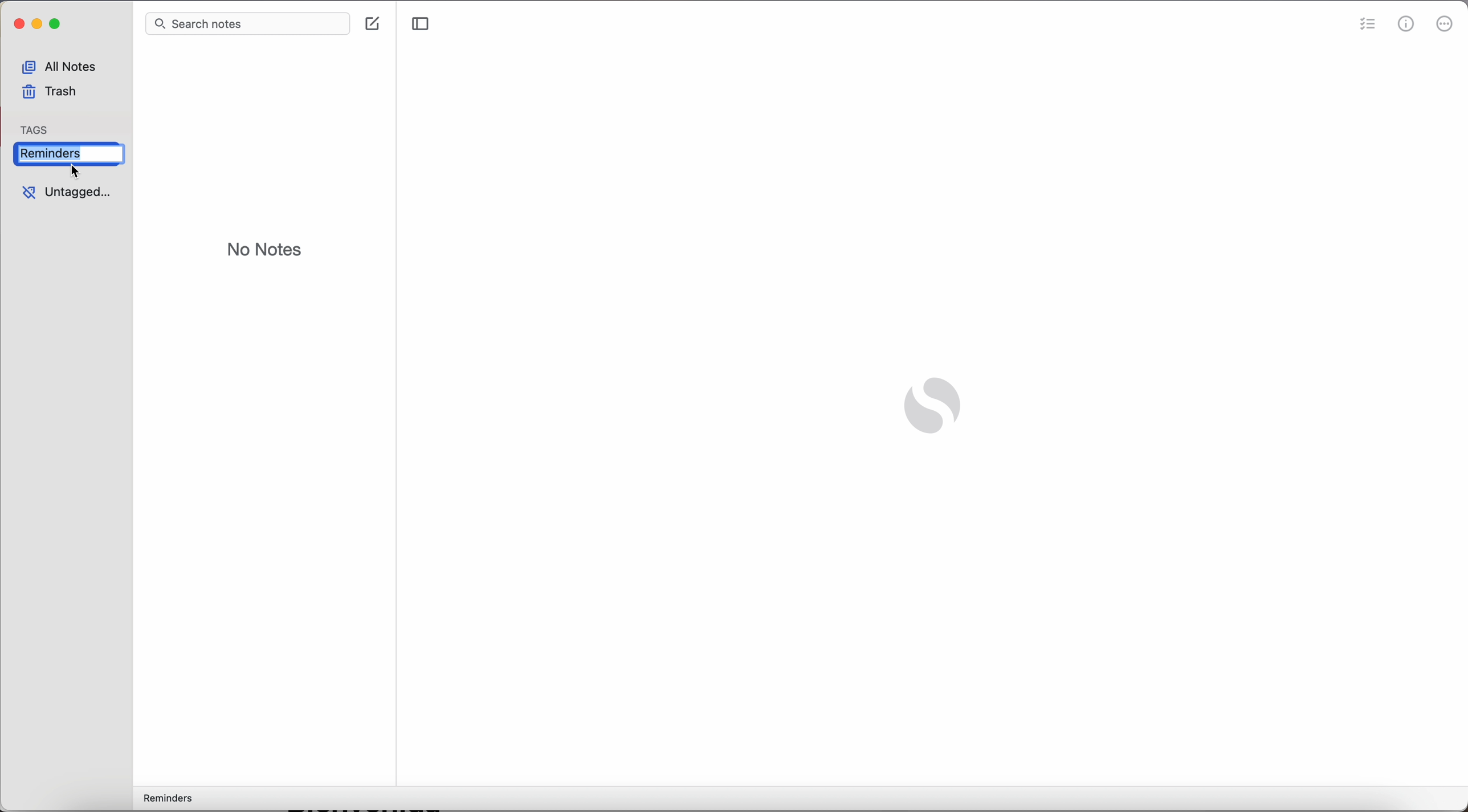  I want to click on more options, so click(1446, 26).